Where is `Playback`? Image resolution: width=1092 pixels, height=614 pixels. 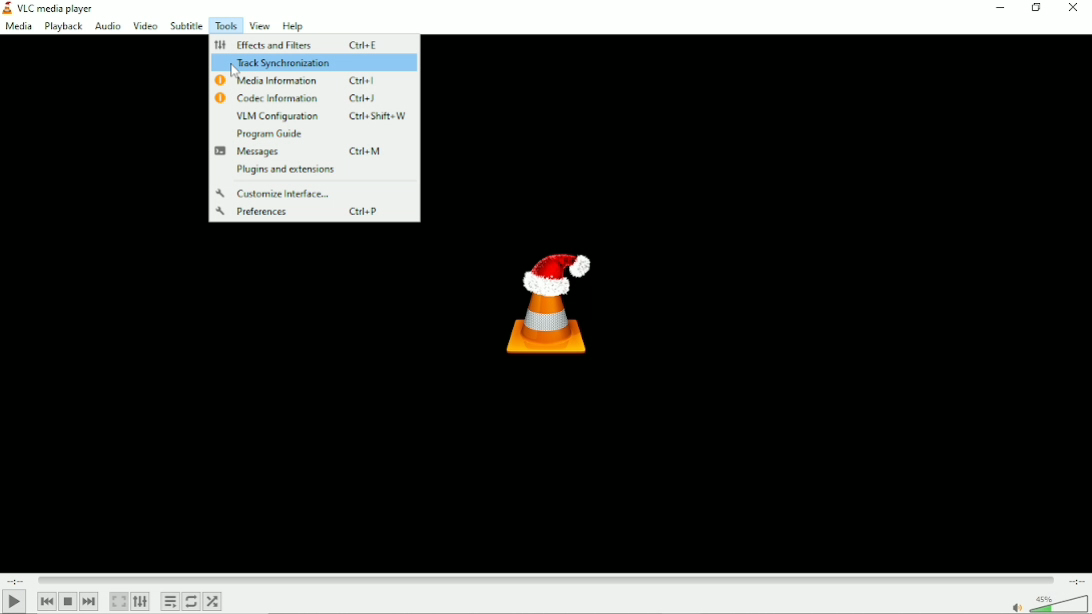 Playback is located at coordinates (63, 27).